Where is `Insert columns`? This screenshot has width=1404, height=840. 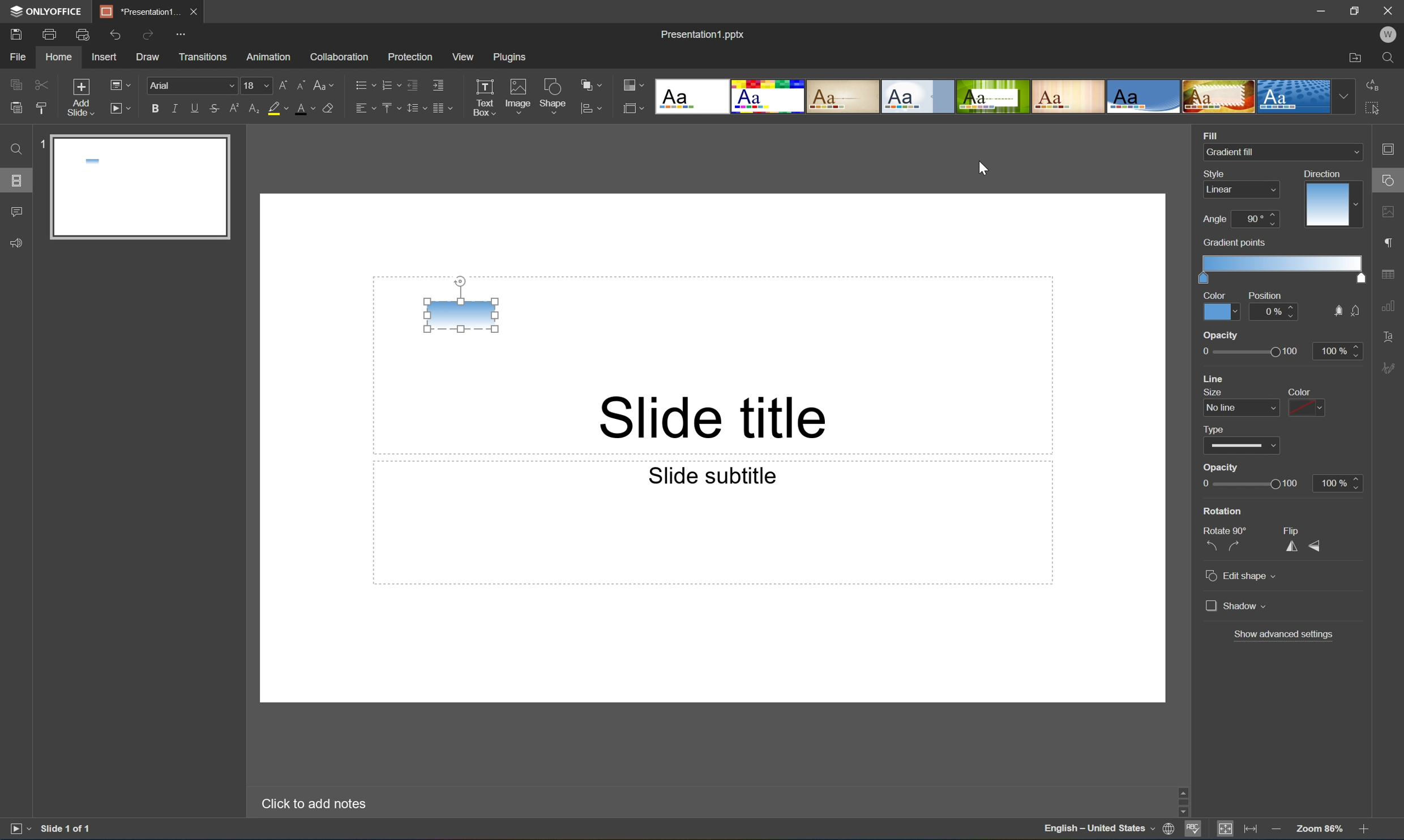
Insert columns is located at coordinates (442, 108).